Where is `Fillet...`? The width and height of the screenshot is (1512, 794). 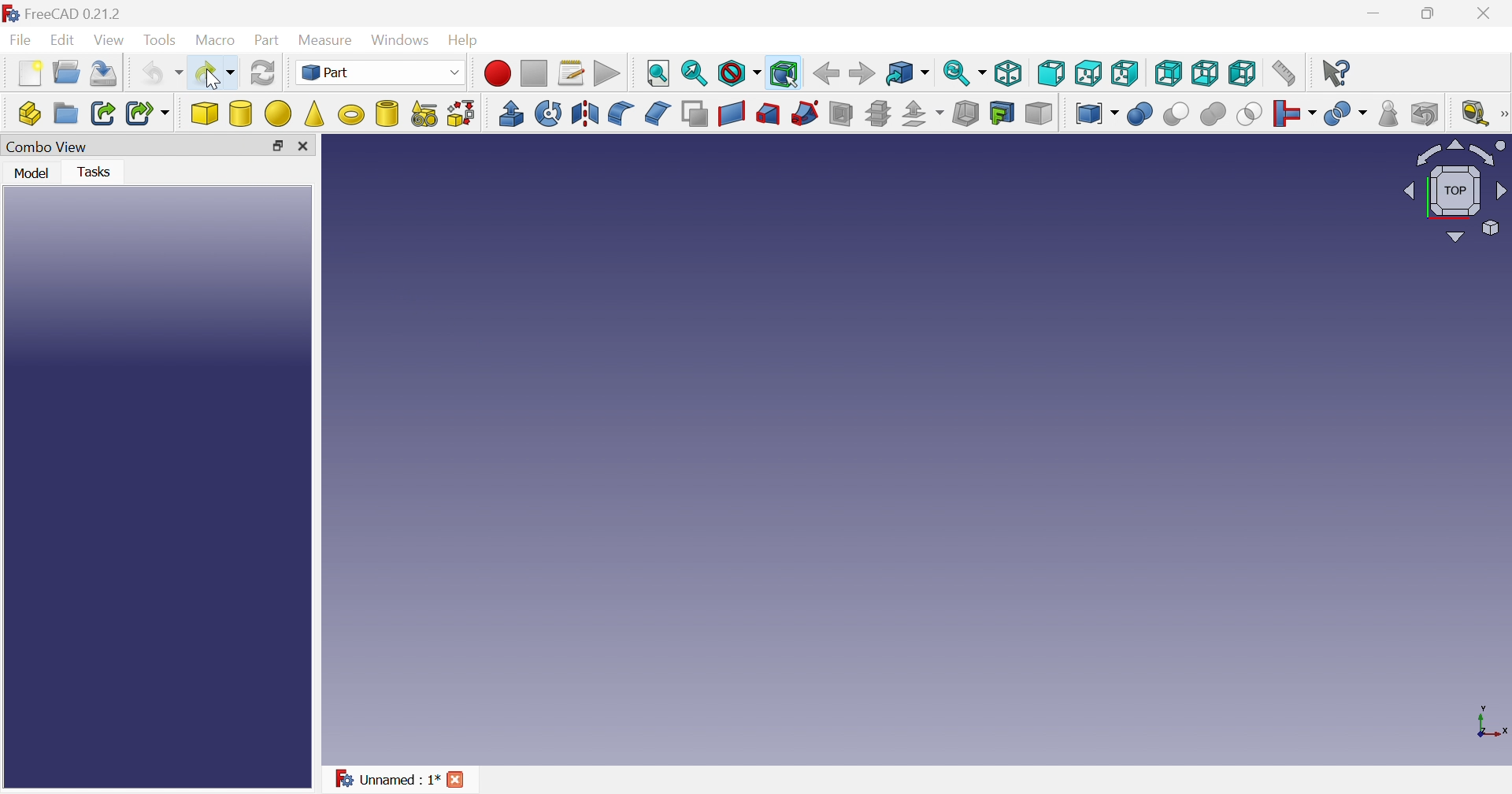 Fillet... is located at coordinates (620, 114).